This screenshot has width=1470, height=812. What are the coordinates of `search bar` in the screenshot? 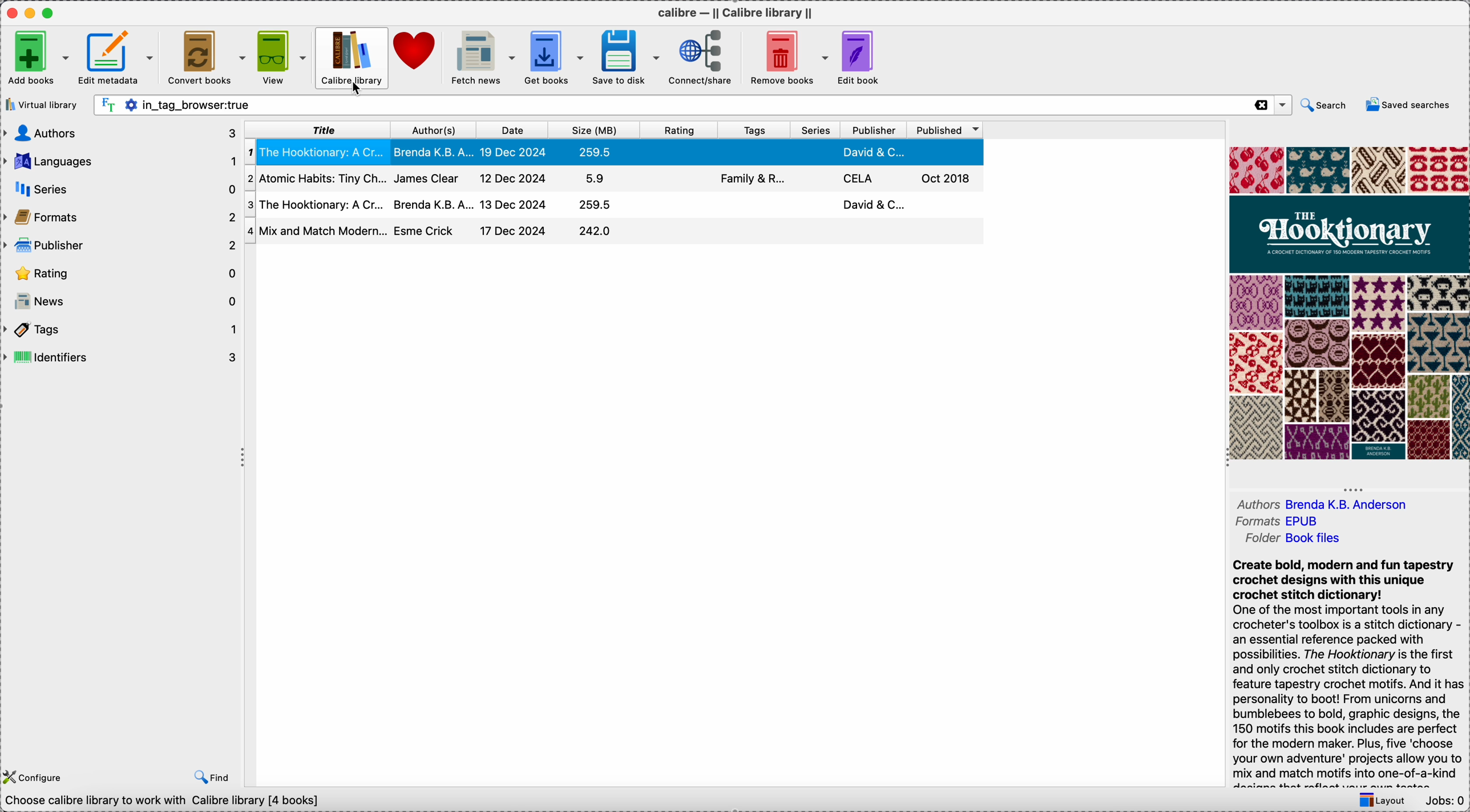 It's located at (671, 106).